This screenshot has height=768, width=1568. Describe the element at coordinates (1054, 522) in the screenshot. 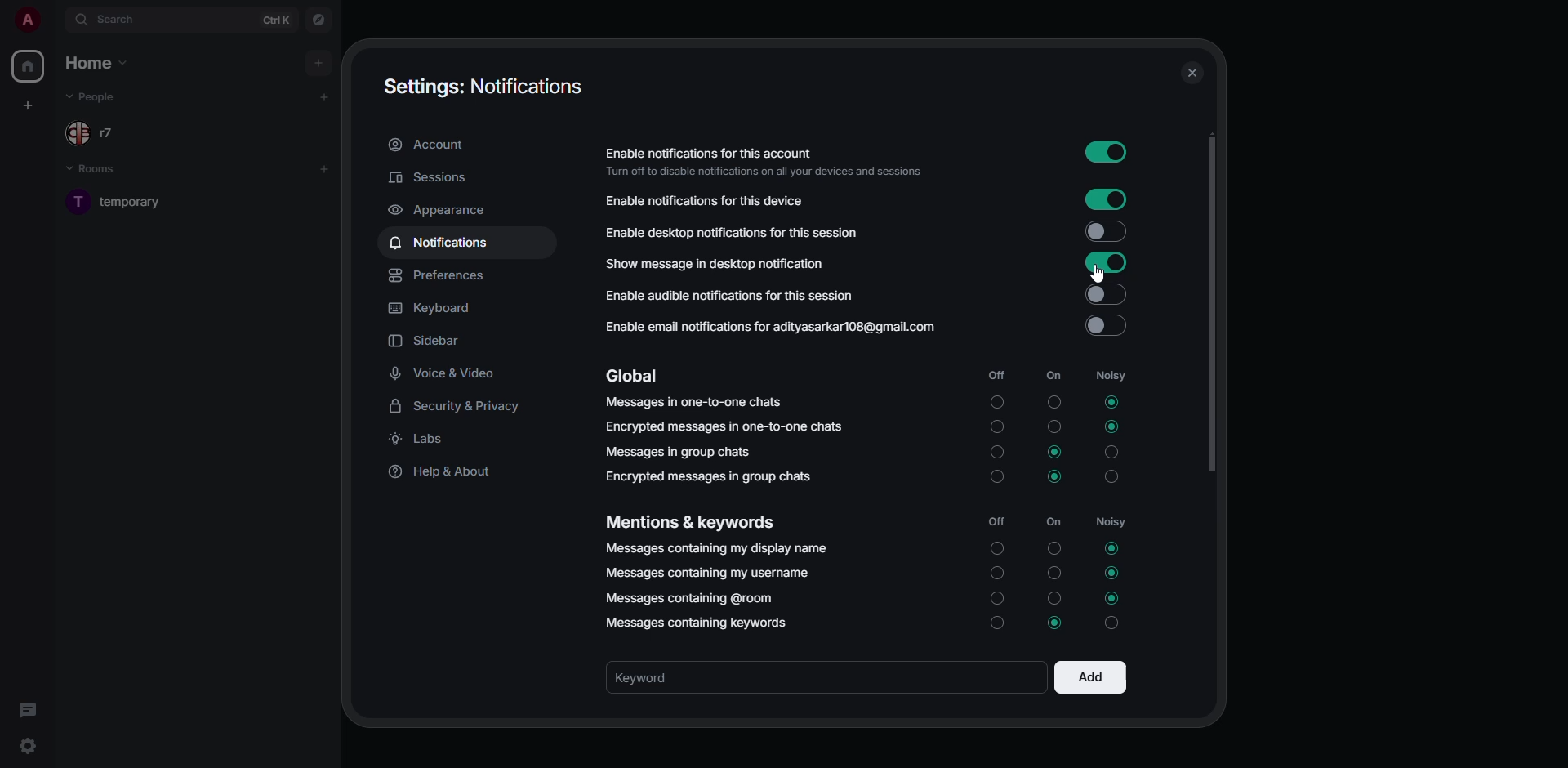

I see `on` at that location.